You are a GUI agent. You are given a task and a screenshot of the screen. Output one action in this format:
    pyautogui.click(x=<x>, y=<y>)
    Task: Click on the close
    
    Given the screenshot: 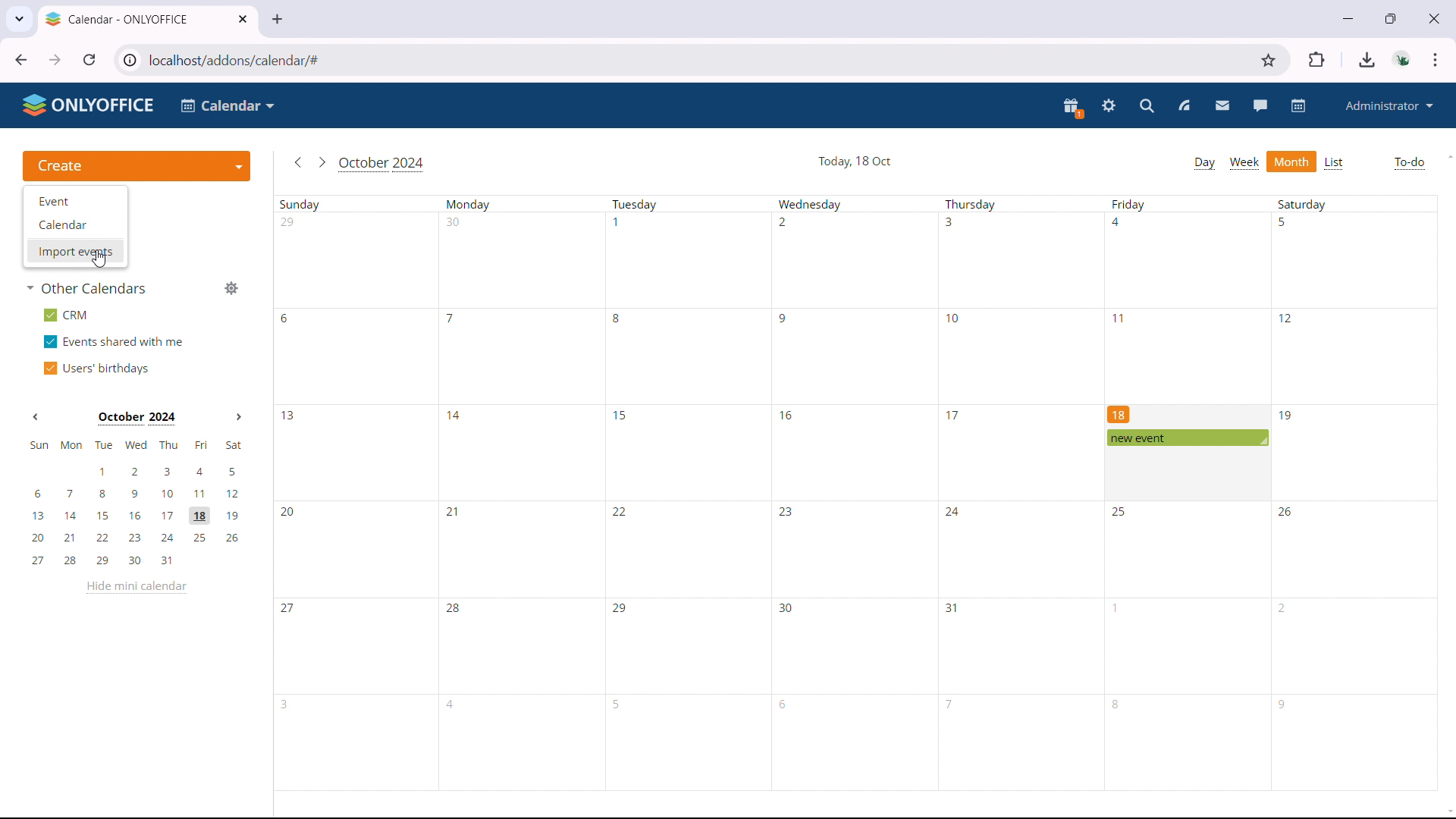 What is the action you would take?
    pyautogui.click(x=1432, y=17)
    